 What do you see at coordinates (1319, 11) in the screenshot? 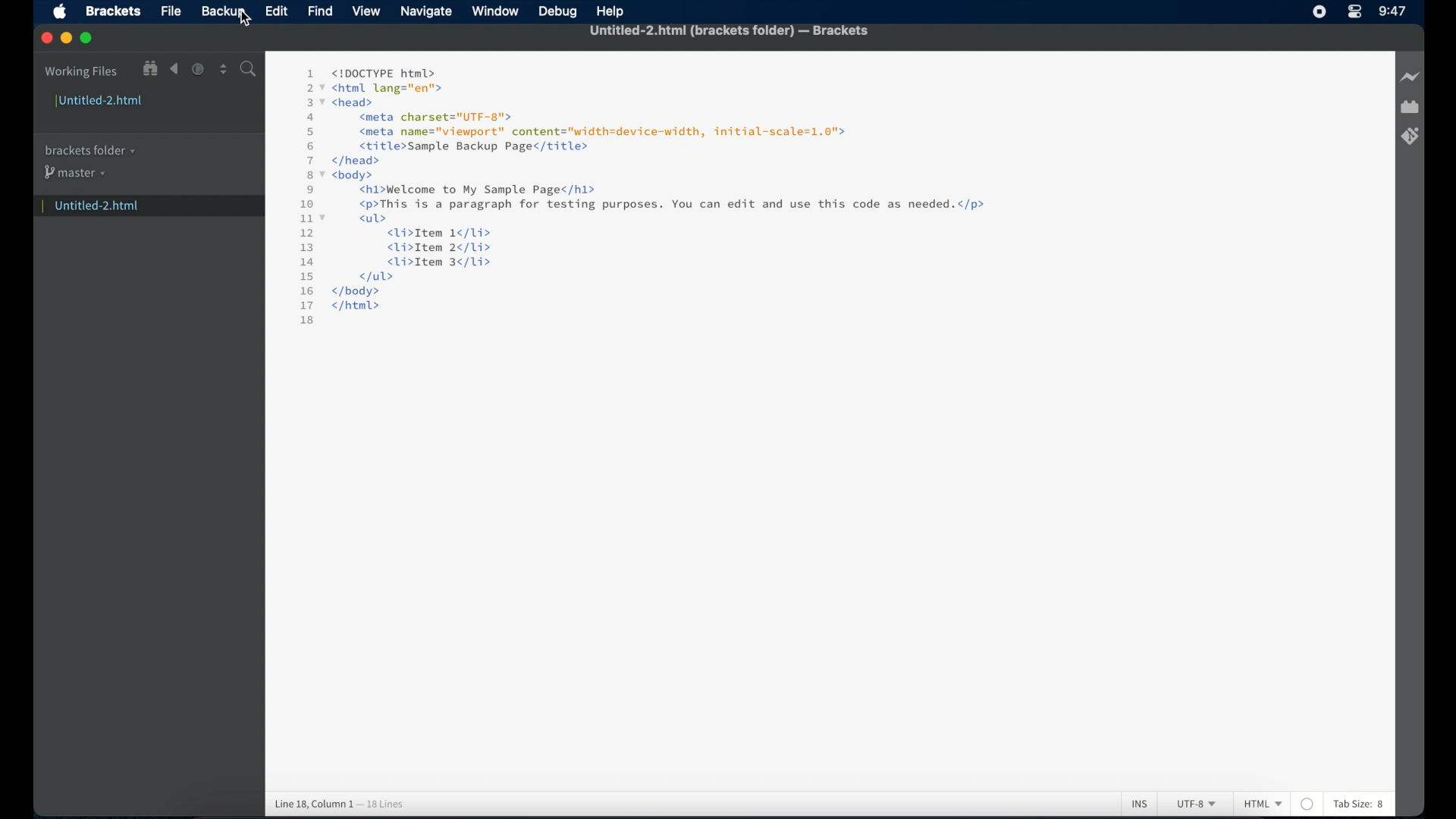
I see `screen recorder icon` at bounding box center [1319, 11].